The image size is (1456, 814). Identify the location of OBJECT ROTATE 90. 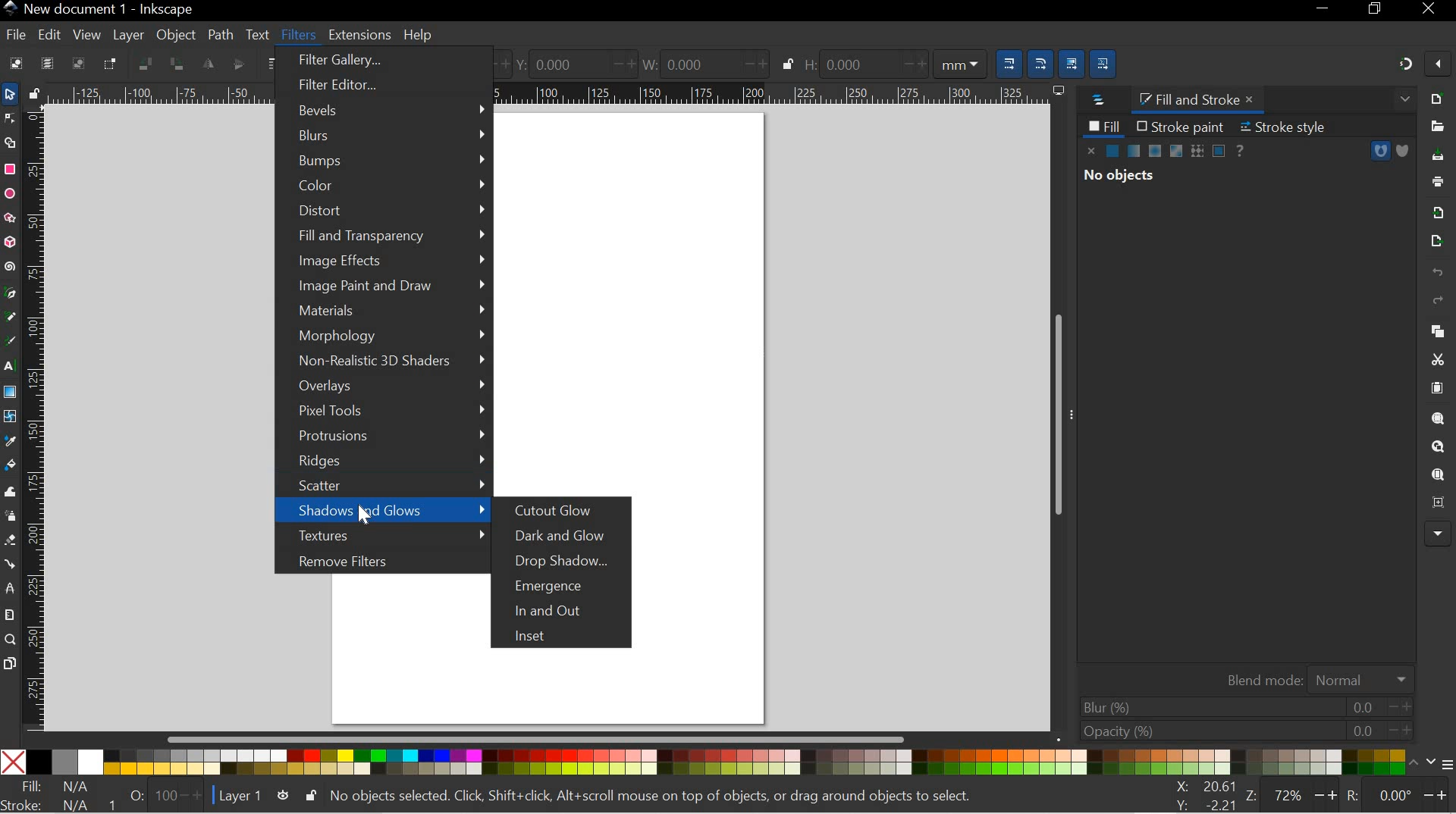
(177, 64).